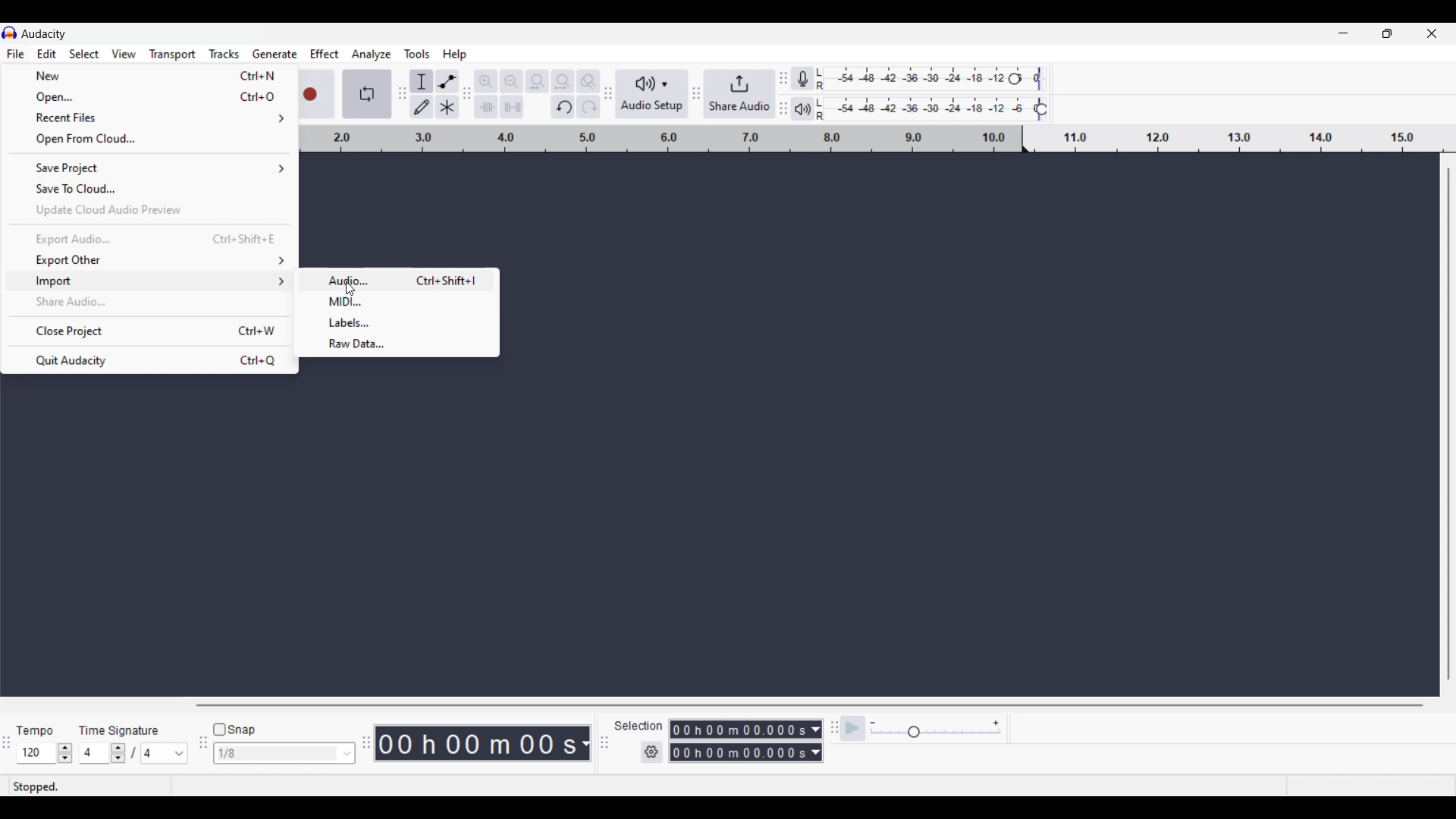 The image size is (1456, 819). I want to click on Playback meter, so click(812, 108).